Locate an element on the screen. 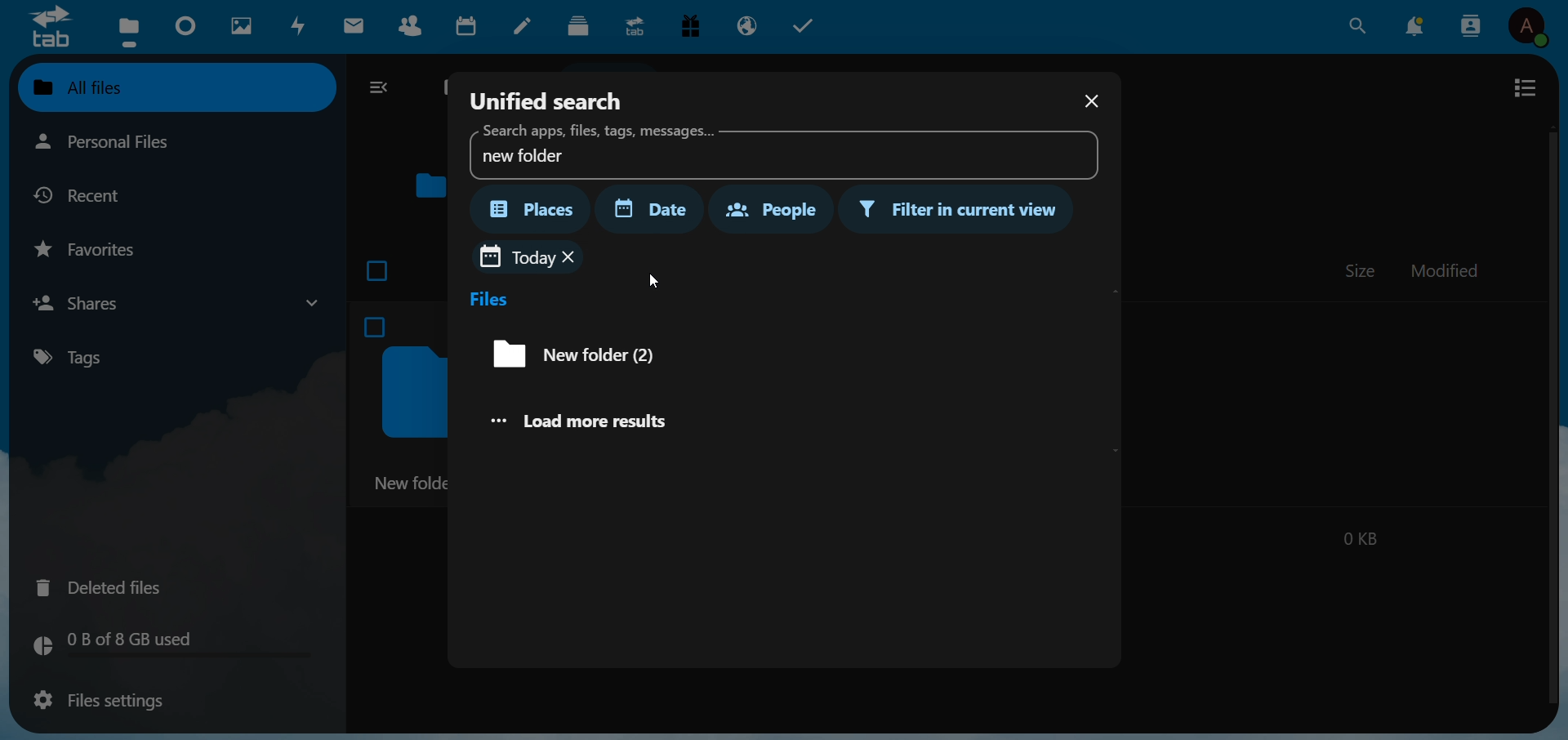  collapse is located at coordinates (382, 89).